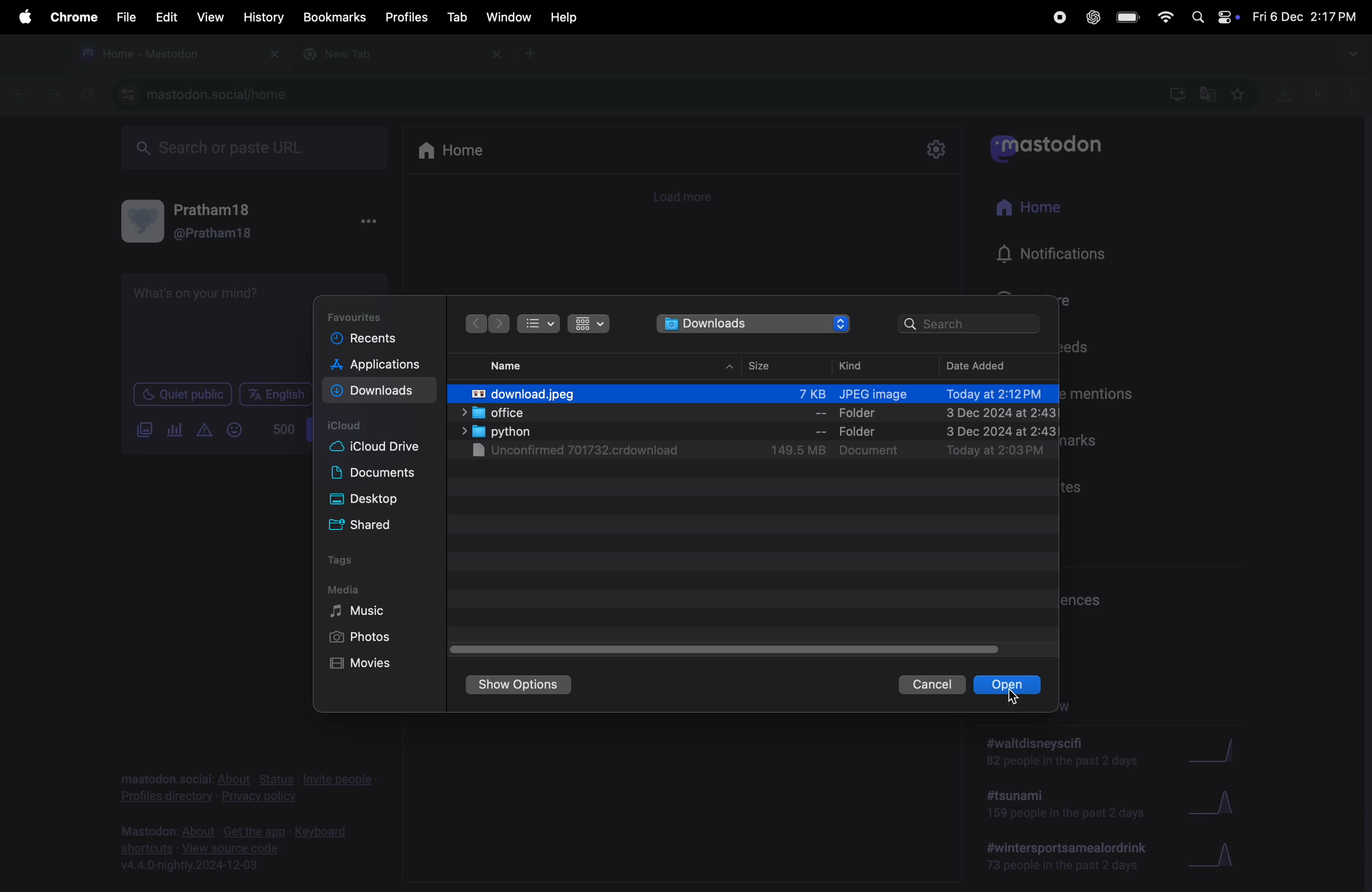  I want to click on help, so click(564, 17).